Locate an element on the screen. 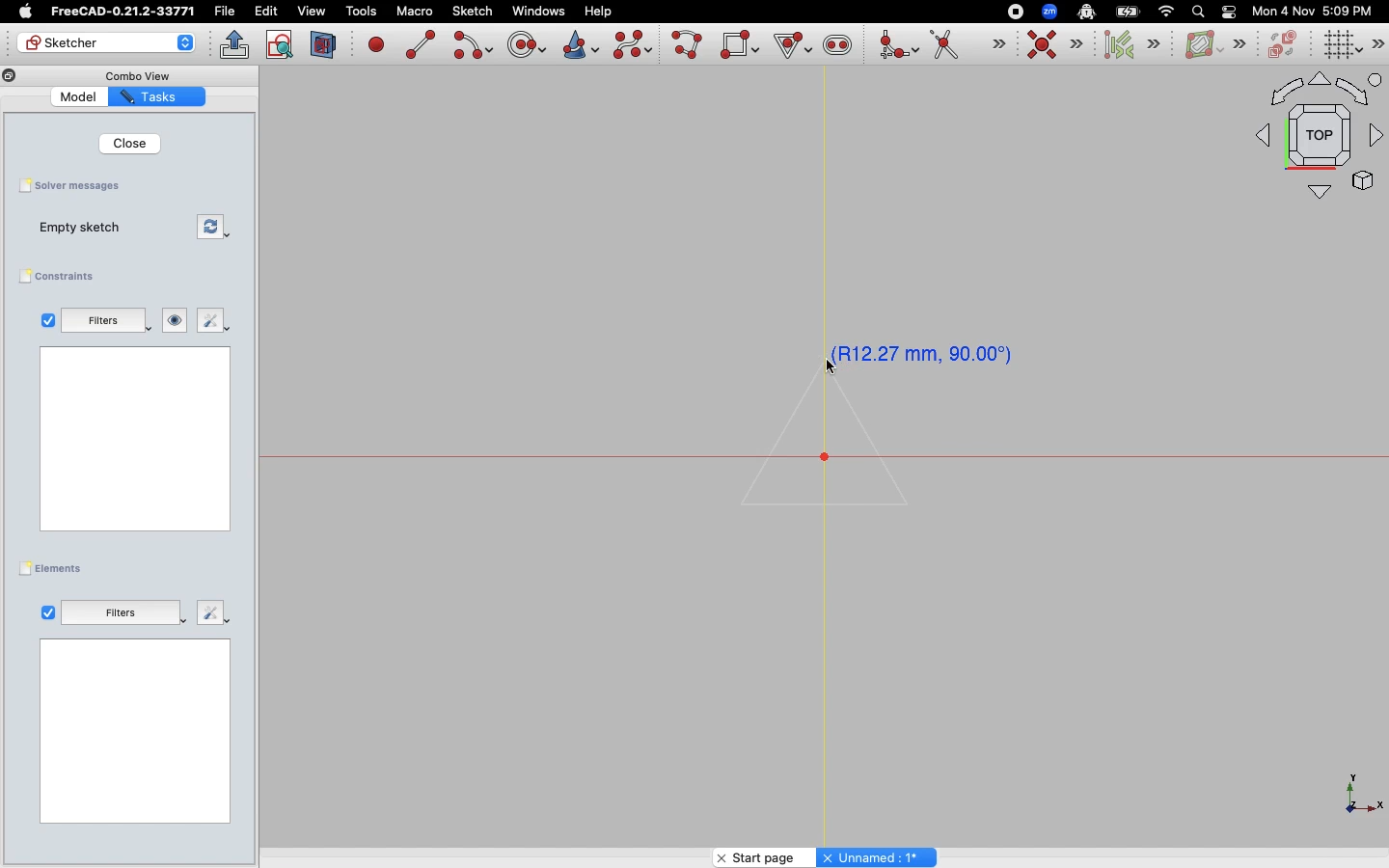 Image resolution: width=1389 pixels, height=868 pixels. Sketch editor tools is located at coordinates (1380, 43).